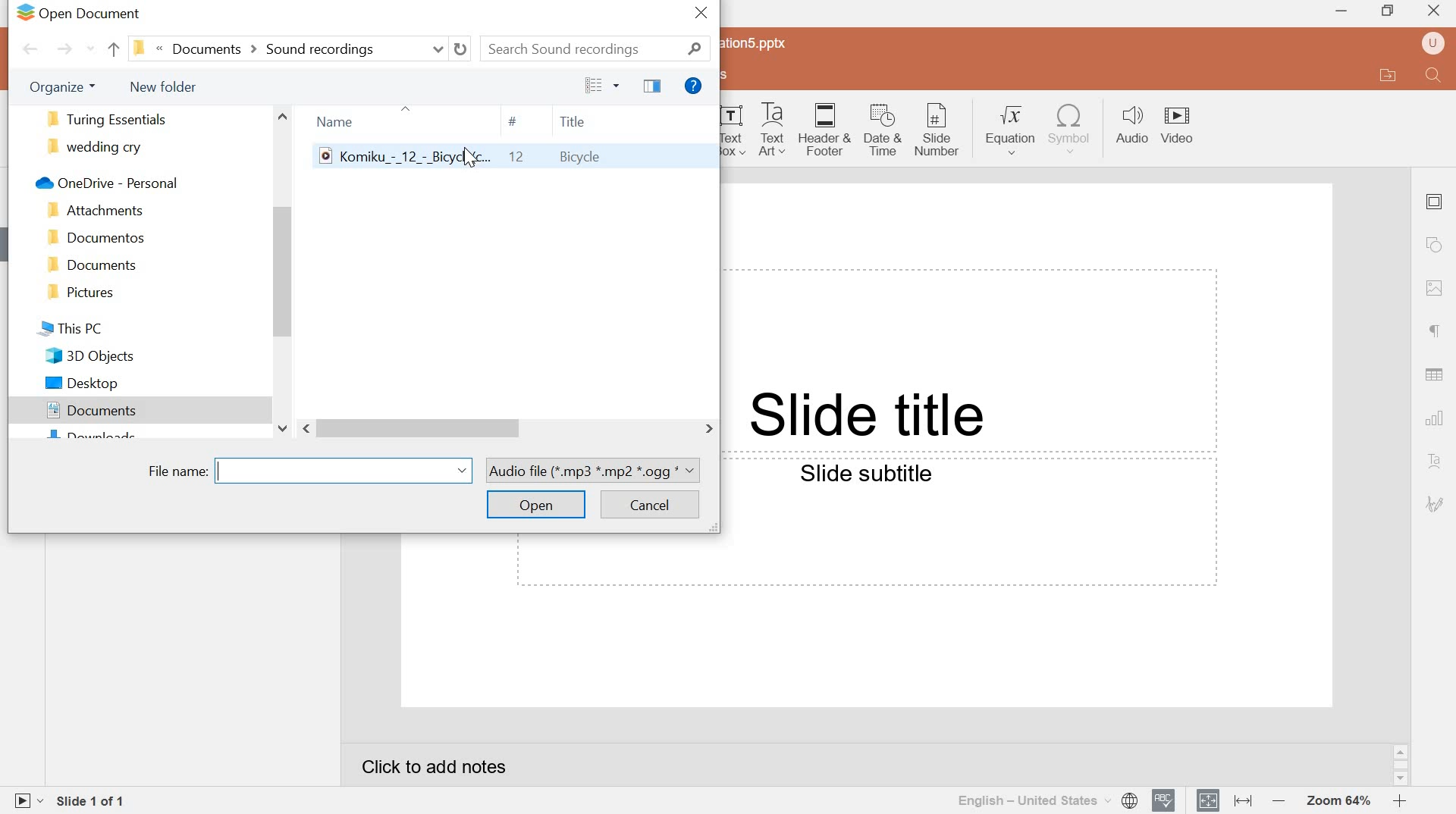 This screenshot has width=1456, height=814. Describe the element at coordinates (1432, 246) in the screenshot. I see `shape settings` at that location.